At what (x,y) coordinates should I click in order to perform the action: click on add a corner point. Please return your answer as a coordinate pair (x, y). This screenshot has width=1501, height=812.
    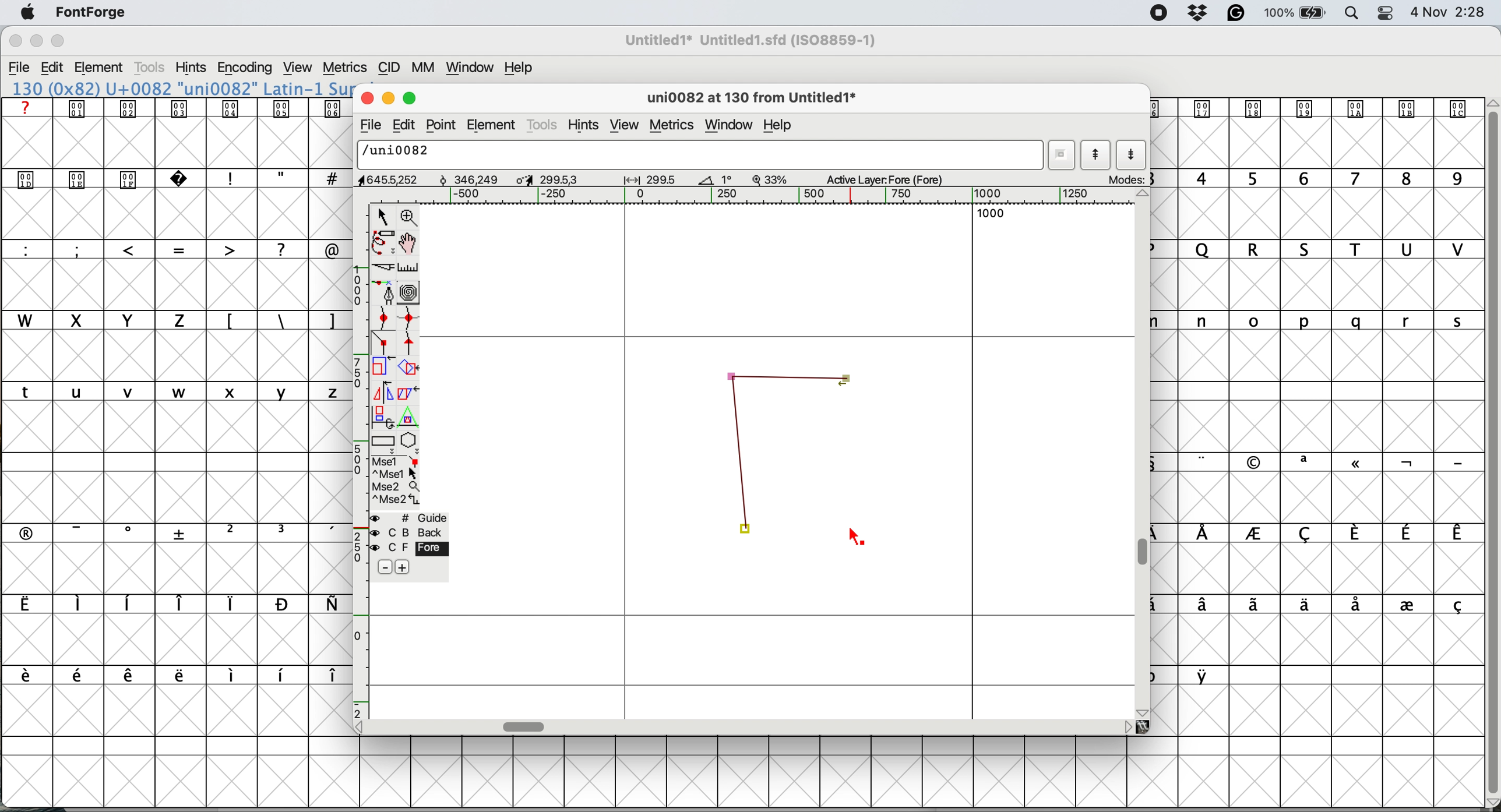
    Looking at the image, I should click on (383, 344).